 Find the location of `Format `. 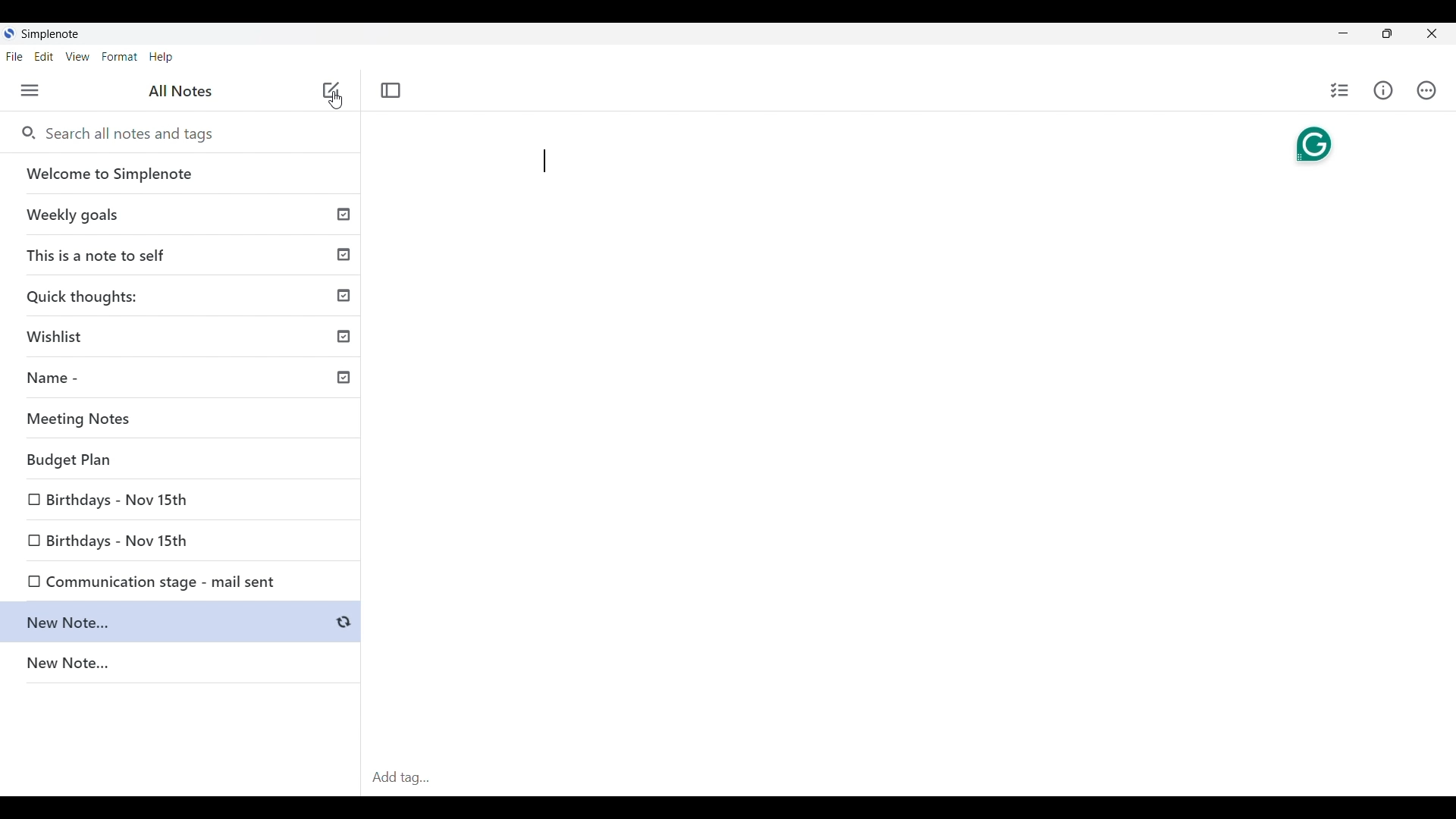

Format  is located at coordinates (120, 57).